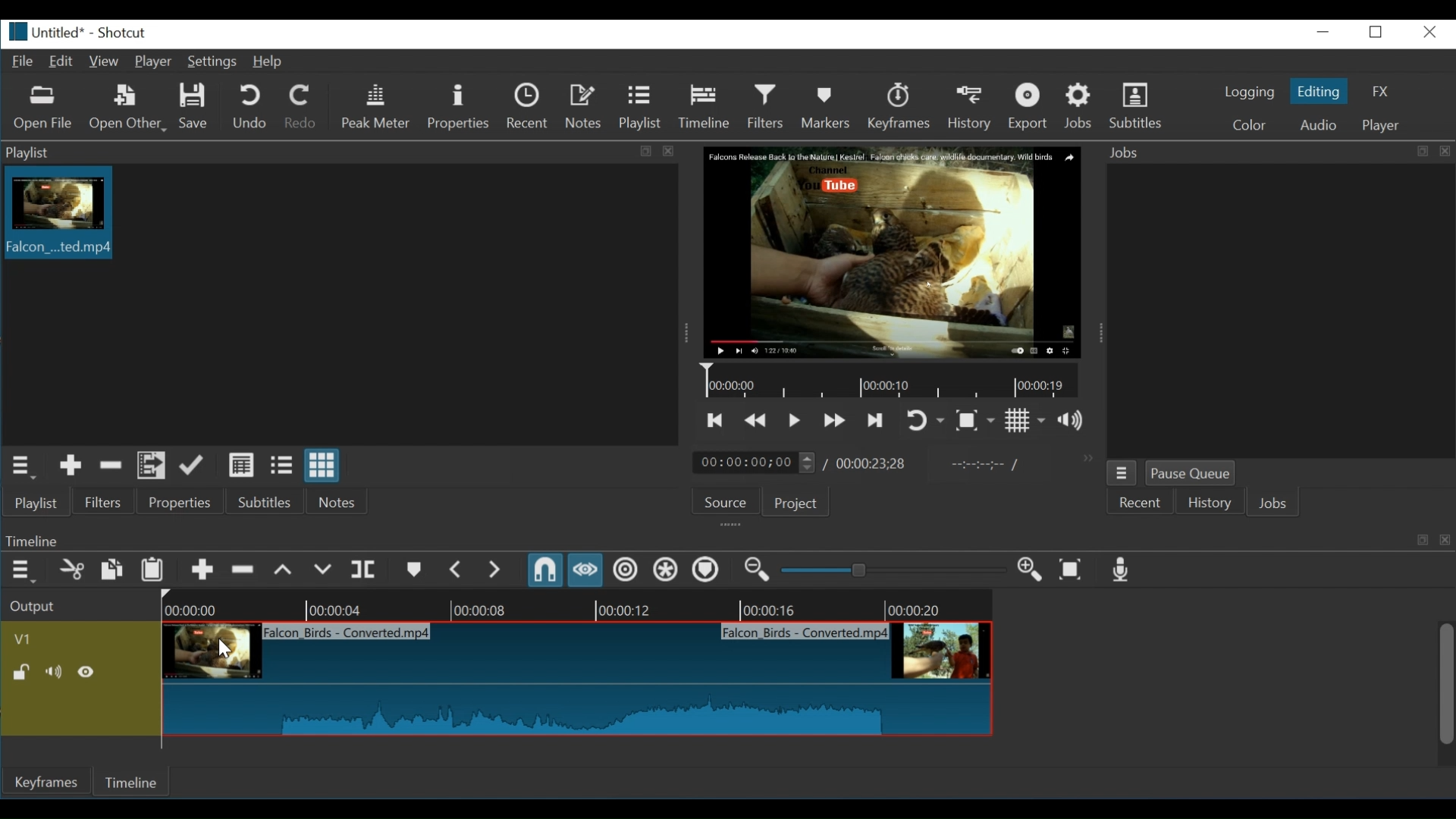 Image resolution: width=1456 pixels, height=819 pixels. What do you see at coordinates (497, 570) in the screenshot?
I see `Next Marker` at bounding box center [497, 570].